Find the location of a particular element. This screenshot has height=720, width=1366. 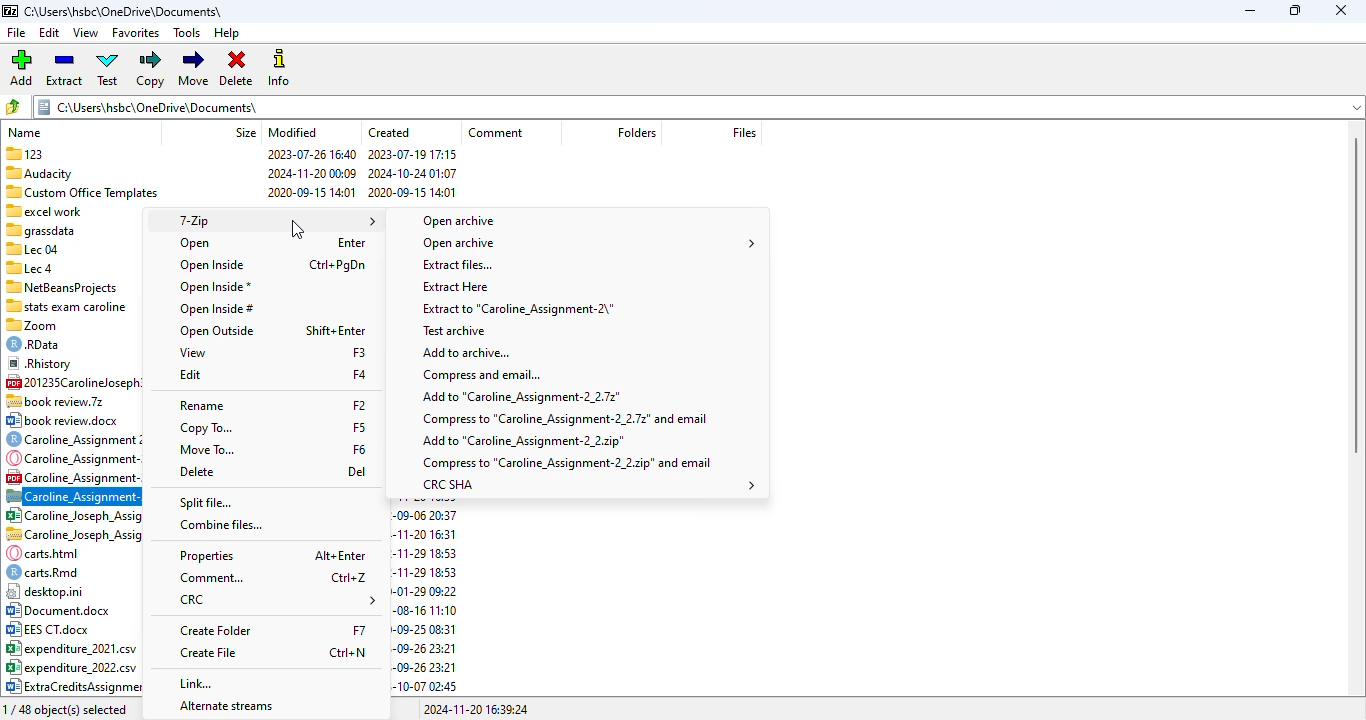

name is located at coordinates (25, 133).